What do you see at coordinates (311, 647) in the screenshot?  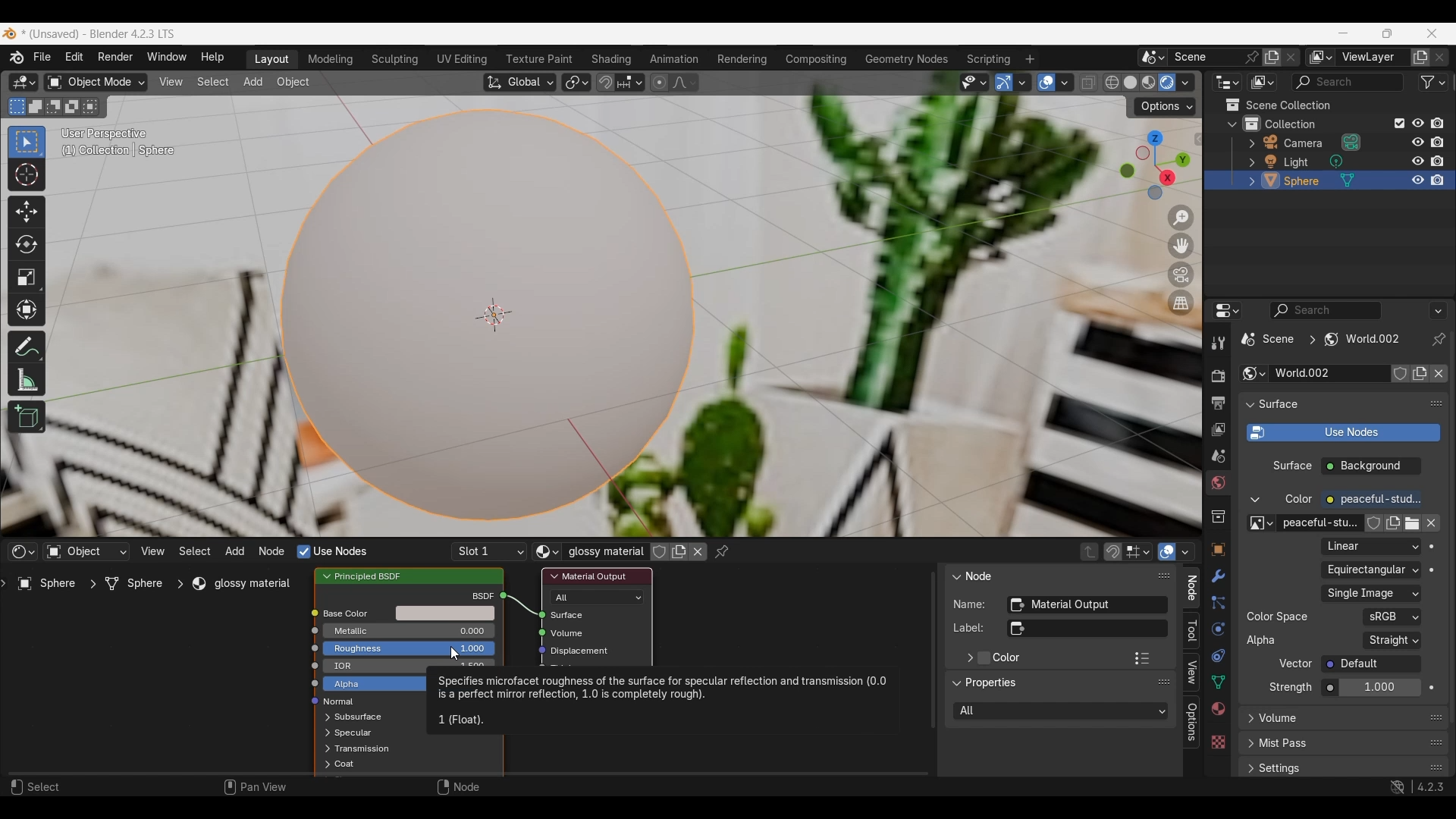 I see `icon` at bounding box center [311, 647].